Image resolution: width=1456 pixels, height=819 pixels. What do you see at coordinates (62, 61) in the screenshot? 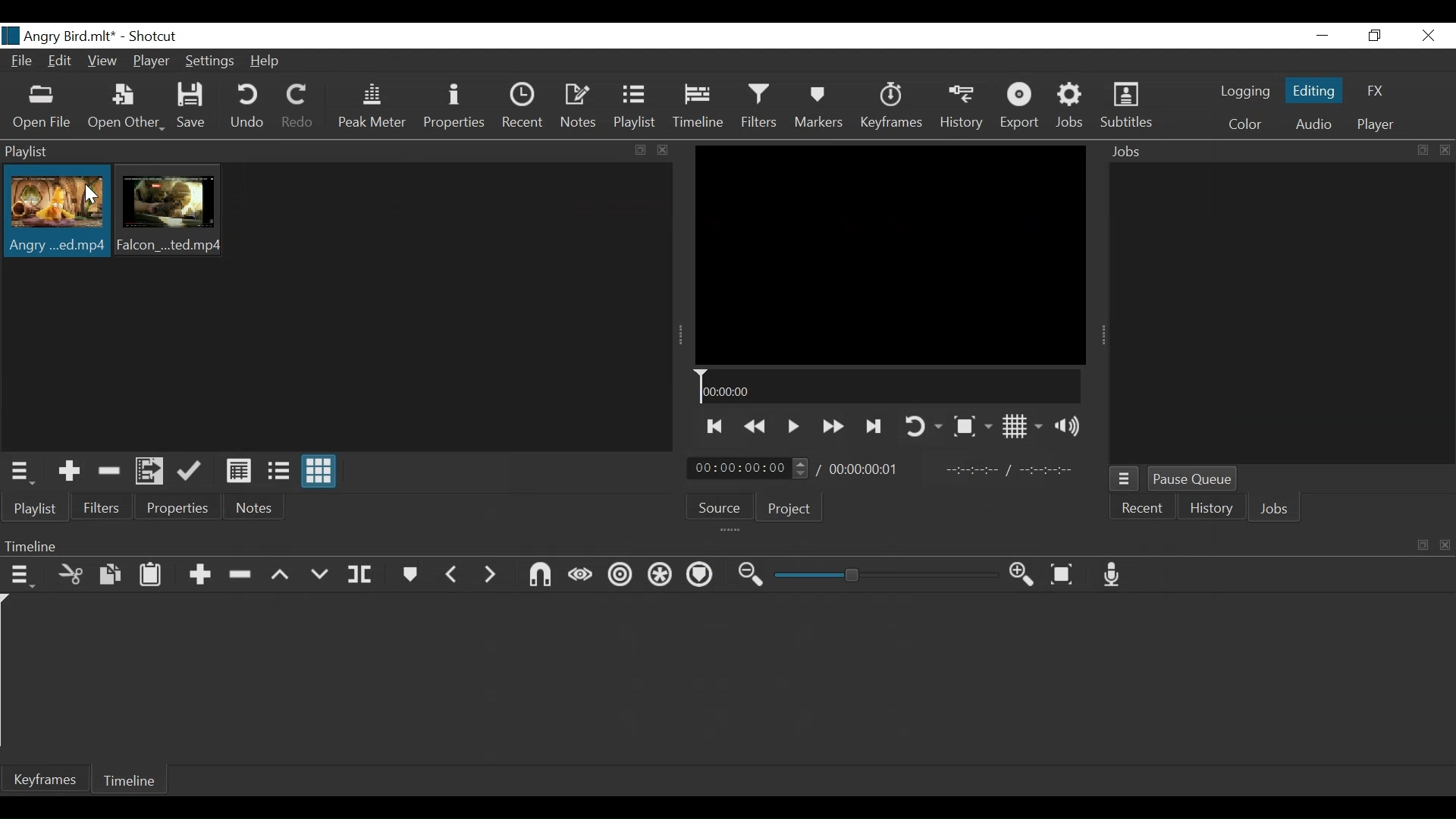
I see `Edit` at bounding box center [62, 61].